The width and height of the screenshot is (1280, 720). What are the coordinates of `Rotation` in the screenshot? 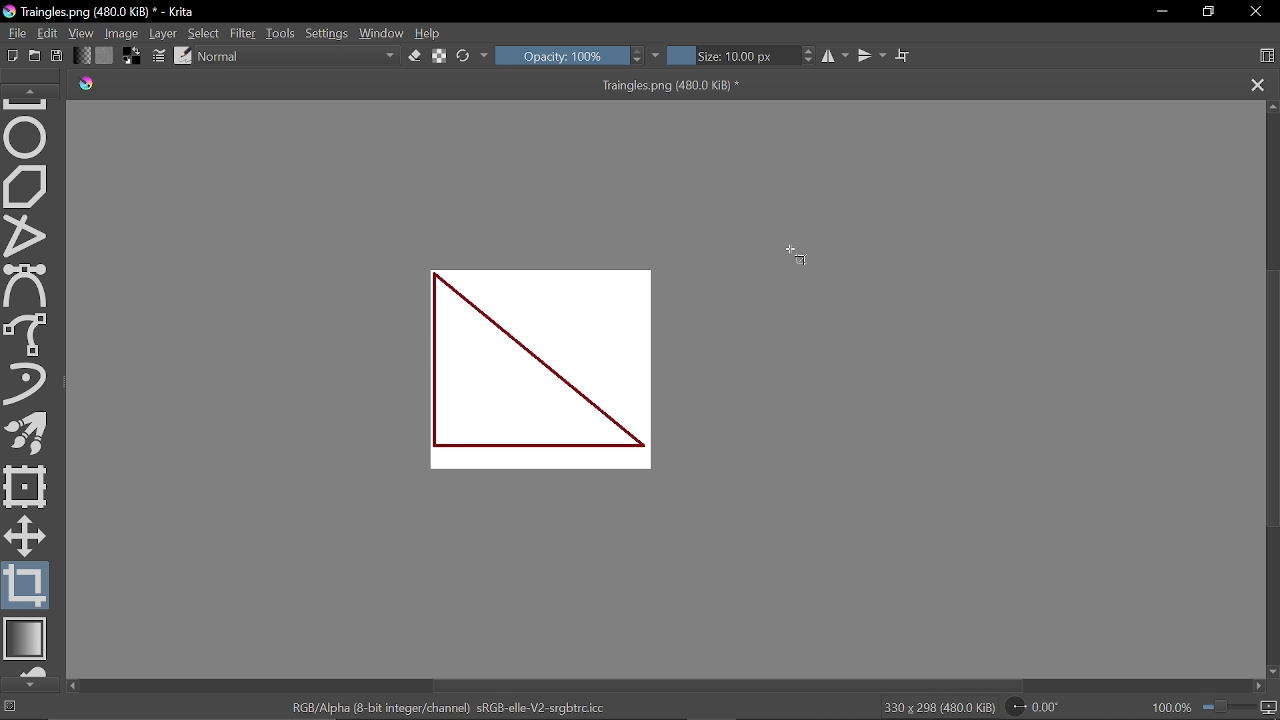 It's located at (1039, 707).